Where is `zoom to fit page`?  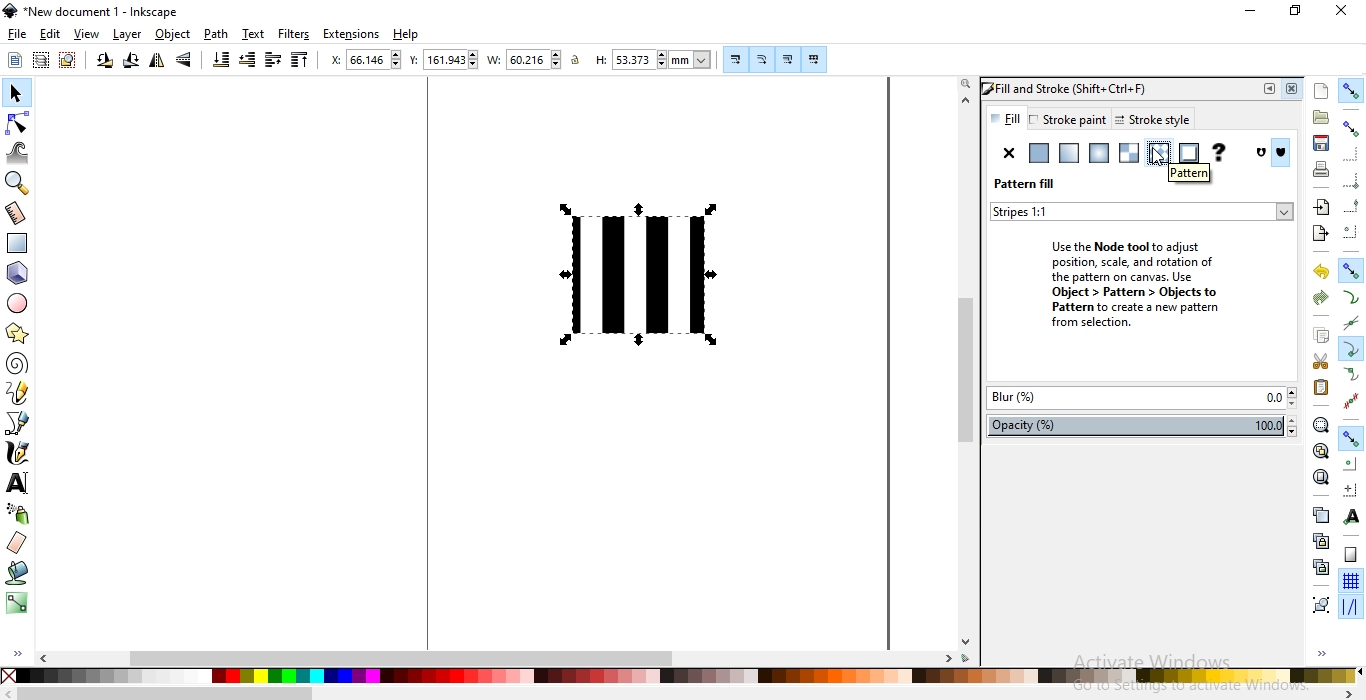 zoom to fit page is located at coordinates (1320, 477).